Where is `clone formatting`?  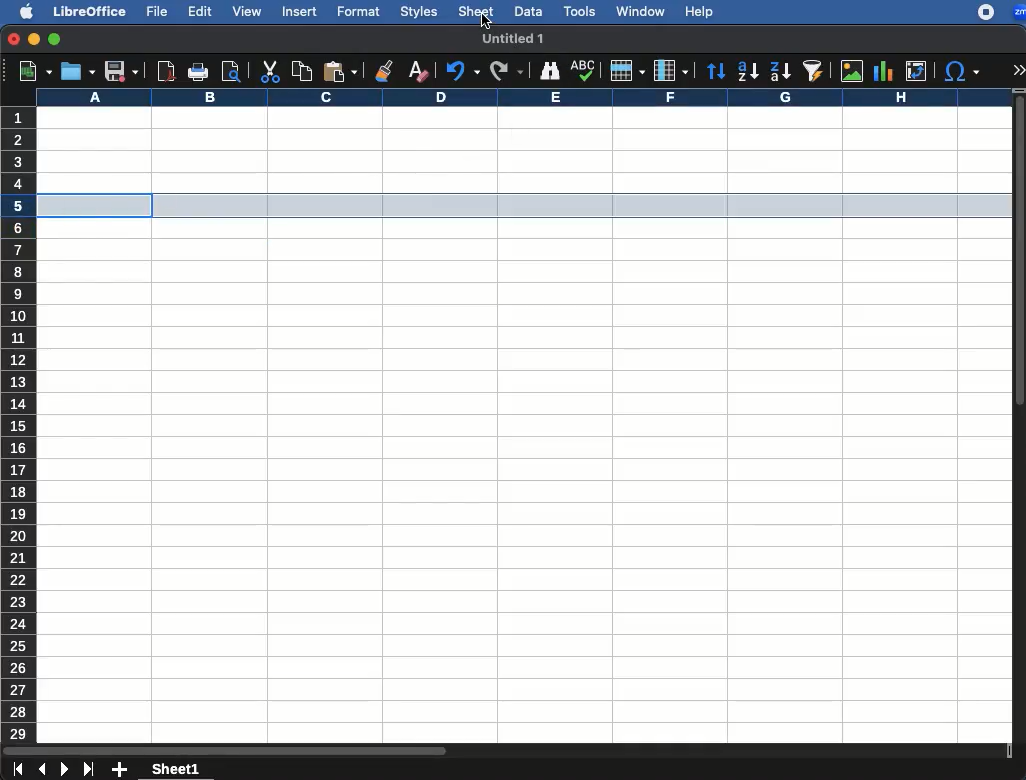
clone formatting is located at coordinates (383, 69).